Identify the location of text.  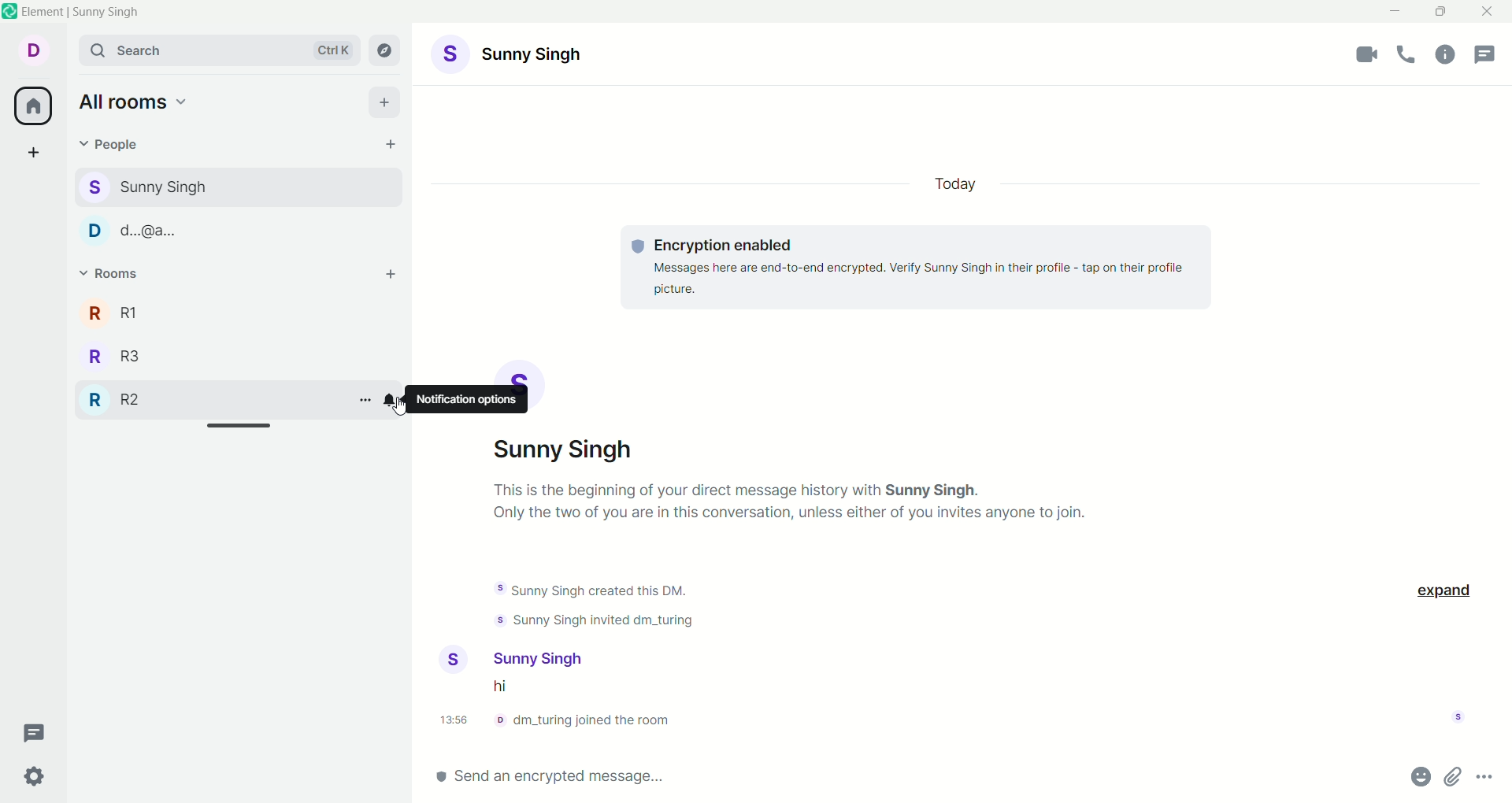
(801, 534).